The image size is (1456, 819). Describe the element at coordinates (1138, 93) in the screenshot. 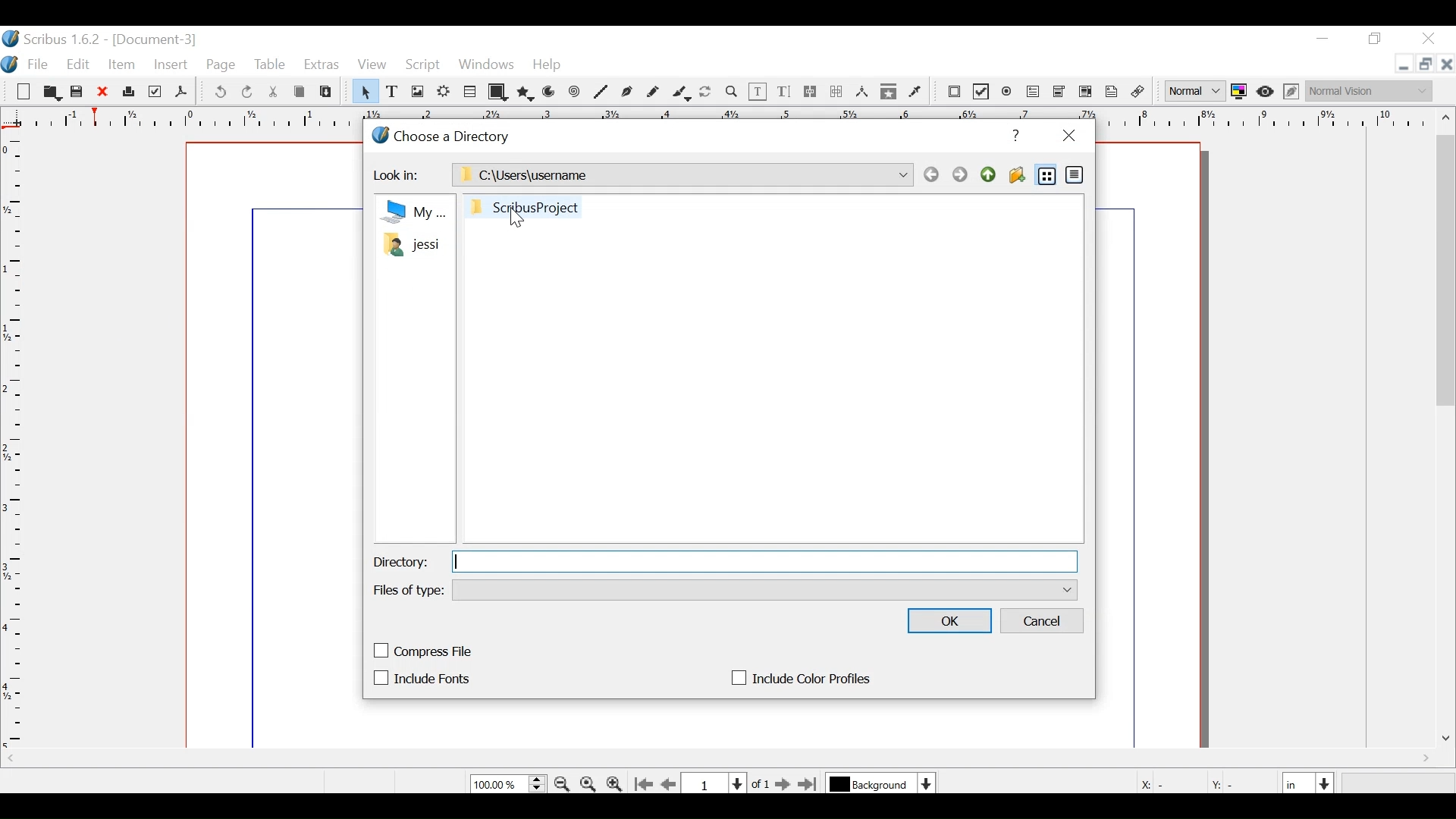

I see `Unlink Annotation` at that location.